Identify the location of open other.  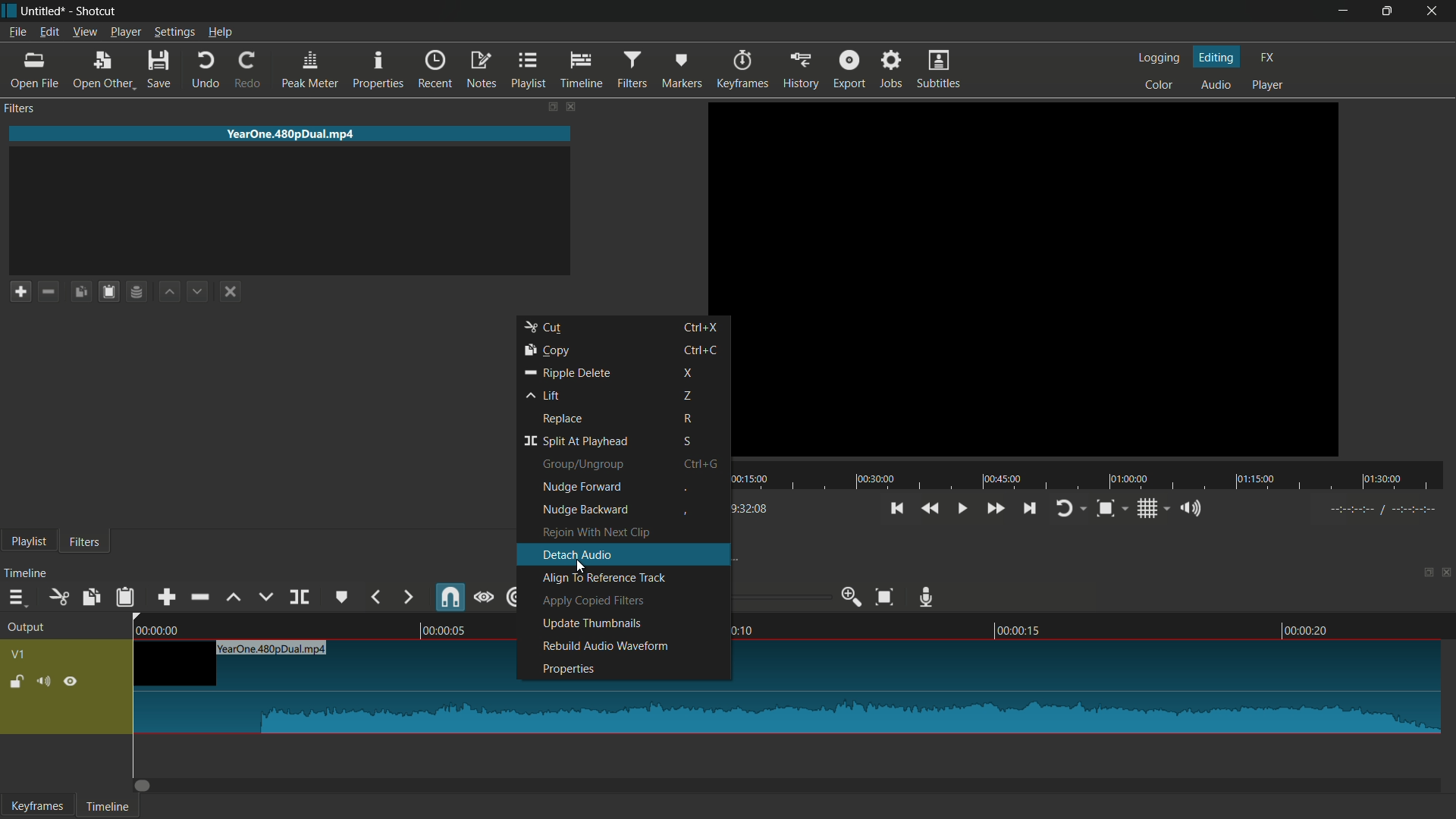
(103, 70).